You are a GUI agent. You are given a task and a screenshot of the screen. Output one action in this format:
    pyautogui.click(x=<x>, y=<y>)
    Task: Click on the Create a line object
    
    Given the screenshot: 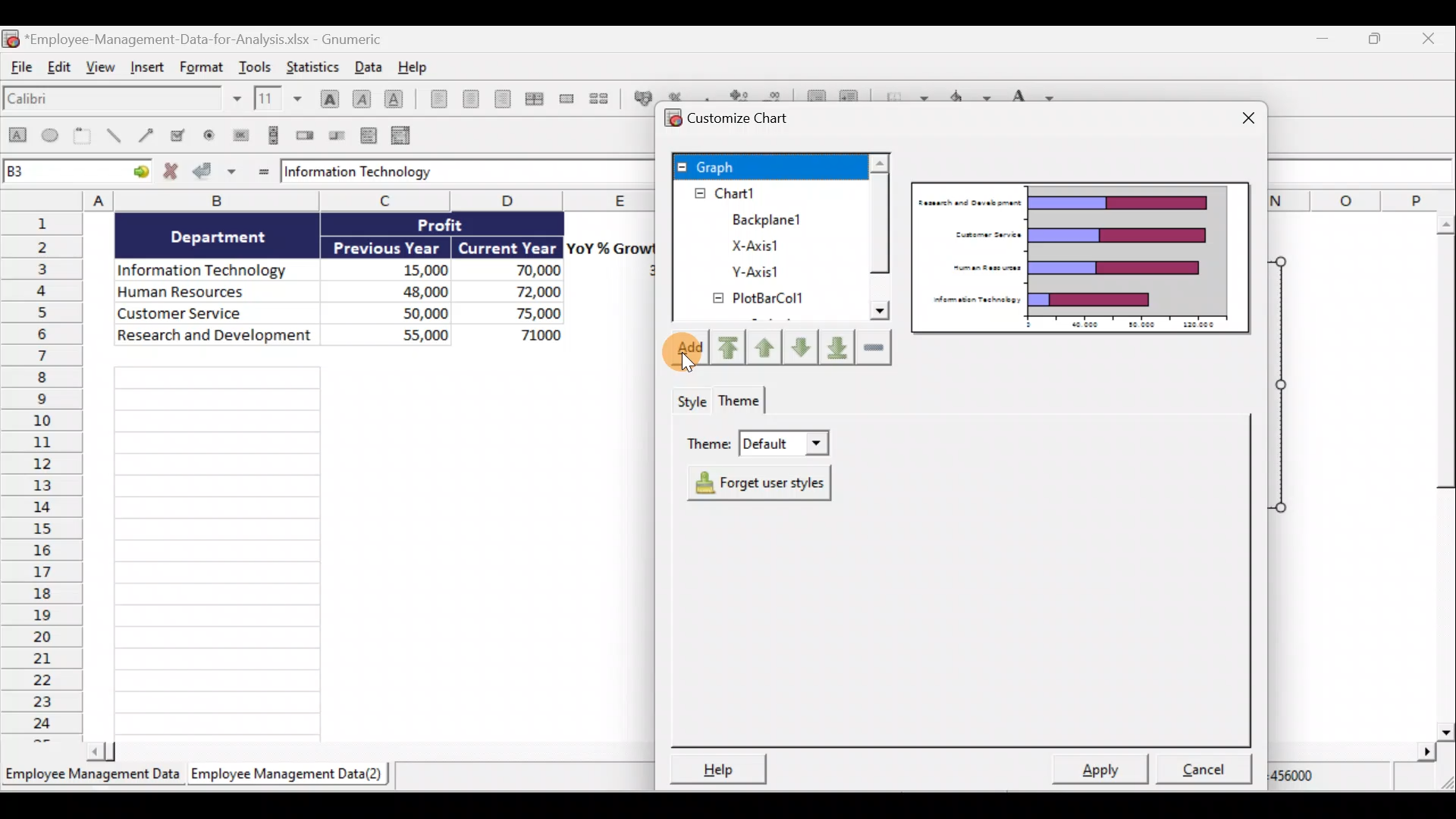 What is the action you would take?
    pyautogui.click(x=113, y=137)
    